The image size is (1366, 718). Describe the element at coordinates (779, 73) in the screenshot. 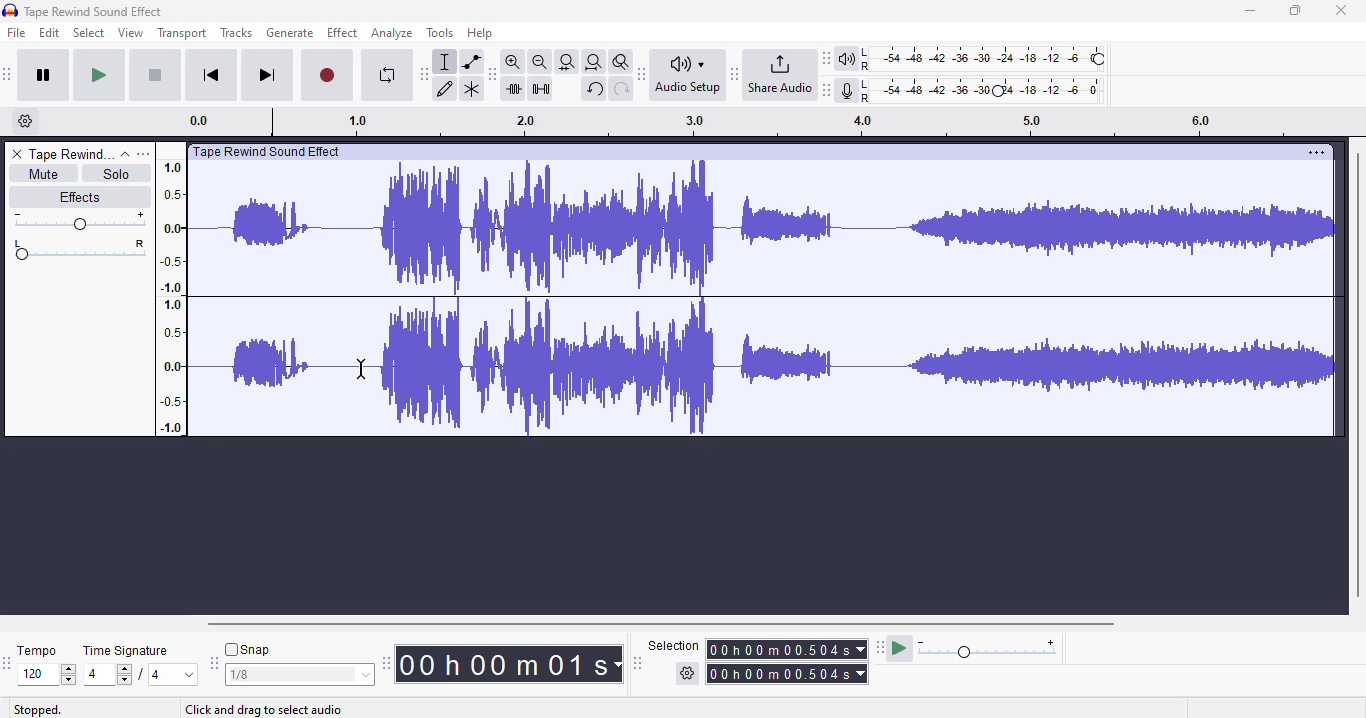

I see `share audio` at that location.